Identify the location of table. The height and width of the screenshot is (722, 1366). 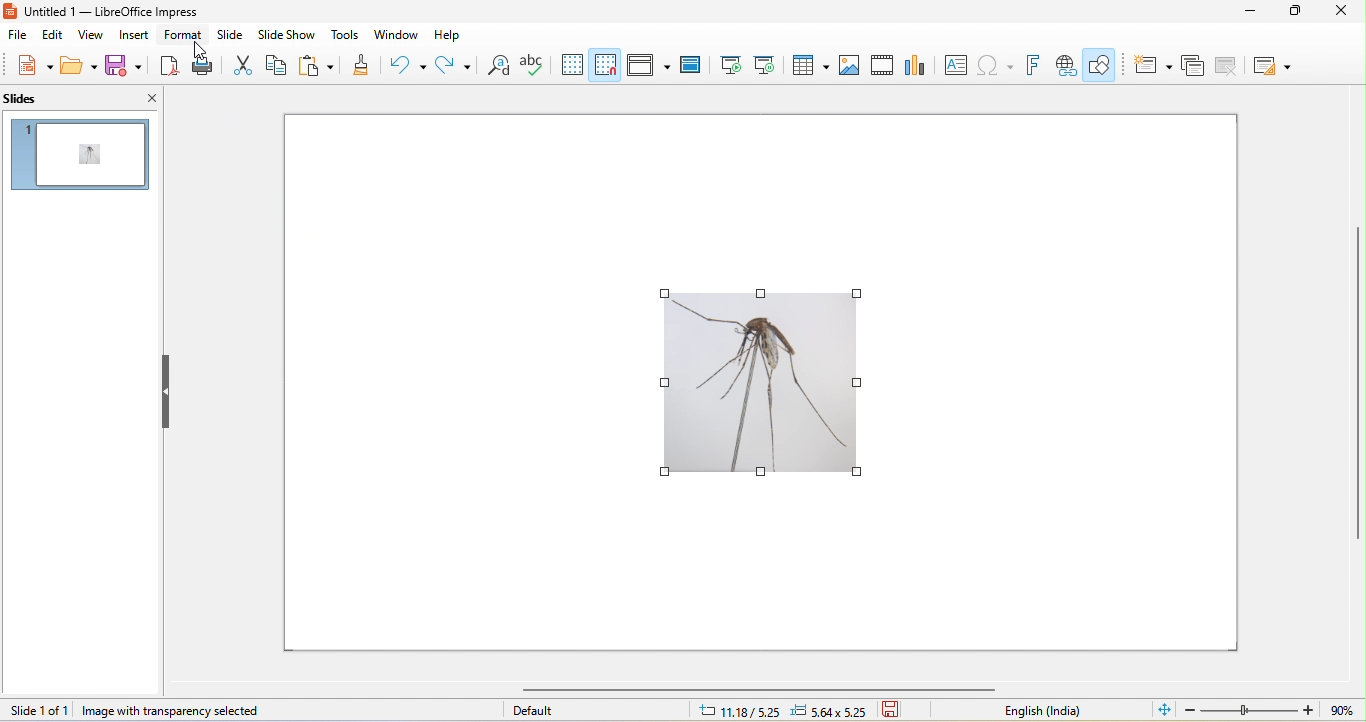
(809, 64).